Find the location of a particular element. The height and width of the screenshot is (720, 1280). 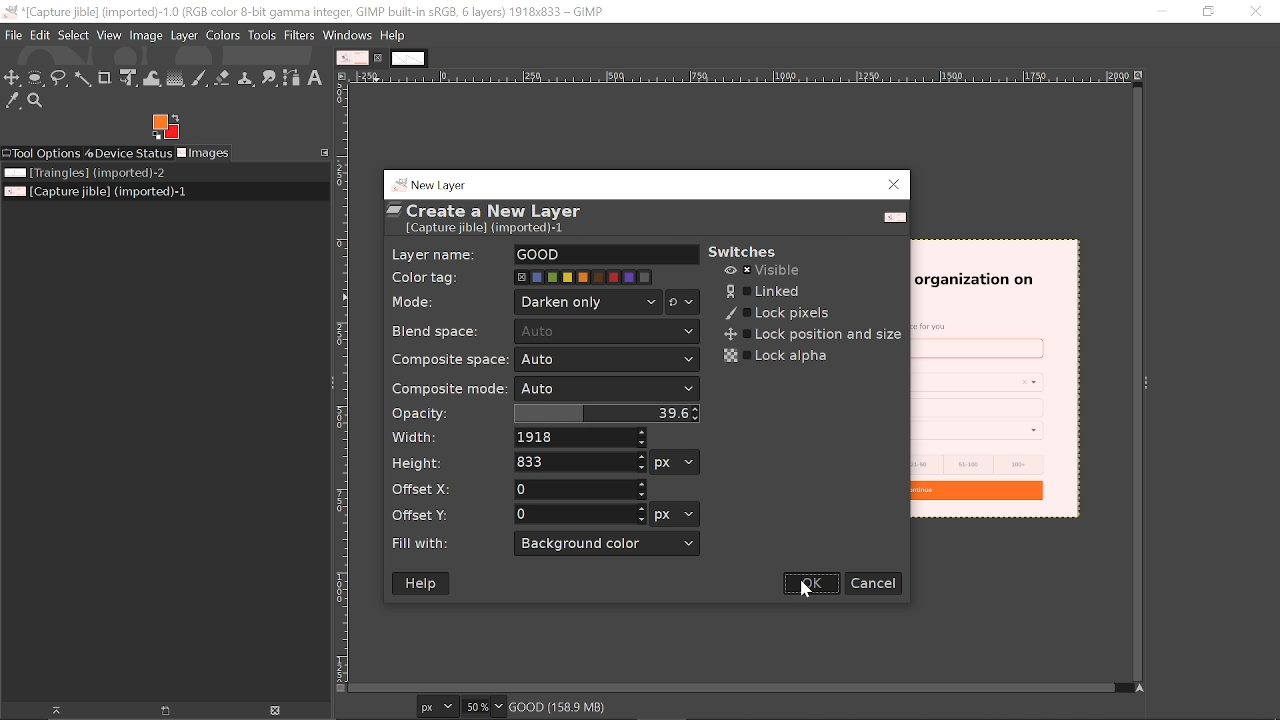

Colors is located at coordinates (224, 36).